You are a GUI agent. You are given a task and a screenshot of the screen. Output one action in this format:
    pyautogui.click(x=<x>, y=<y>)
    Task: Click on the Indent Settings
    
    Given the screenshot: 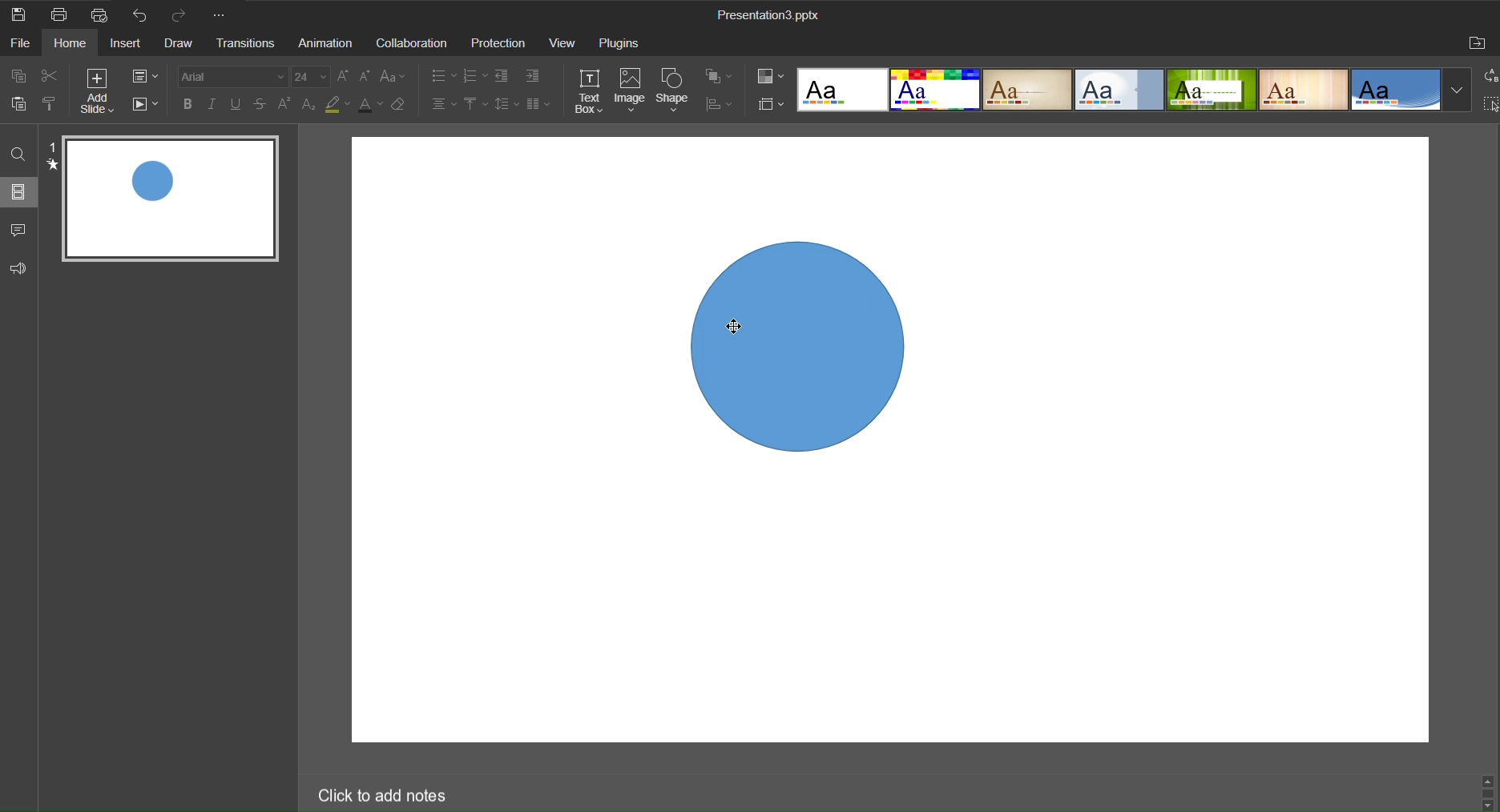 What is the action you would take?
    pyautogui.click(x=504, y=74)
    